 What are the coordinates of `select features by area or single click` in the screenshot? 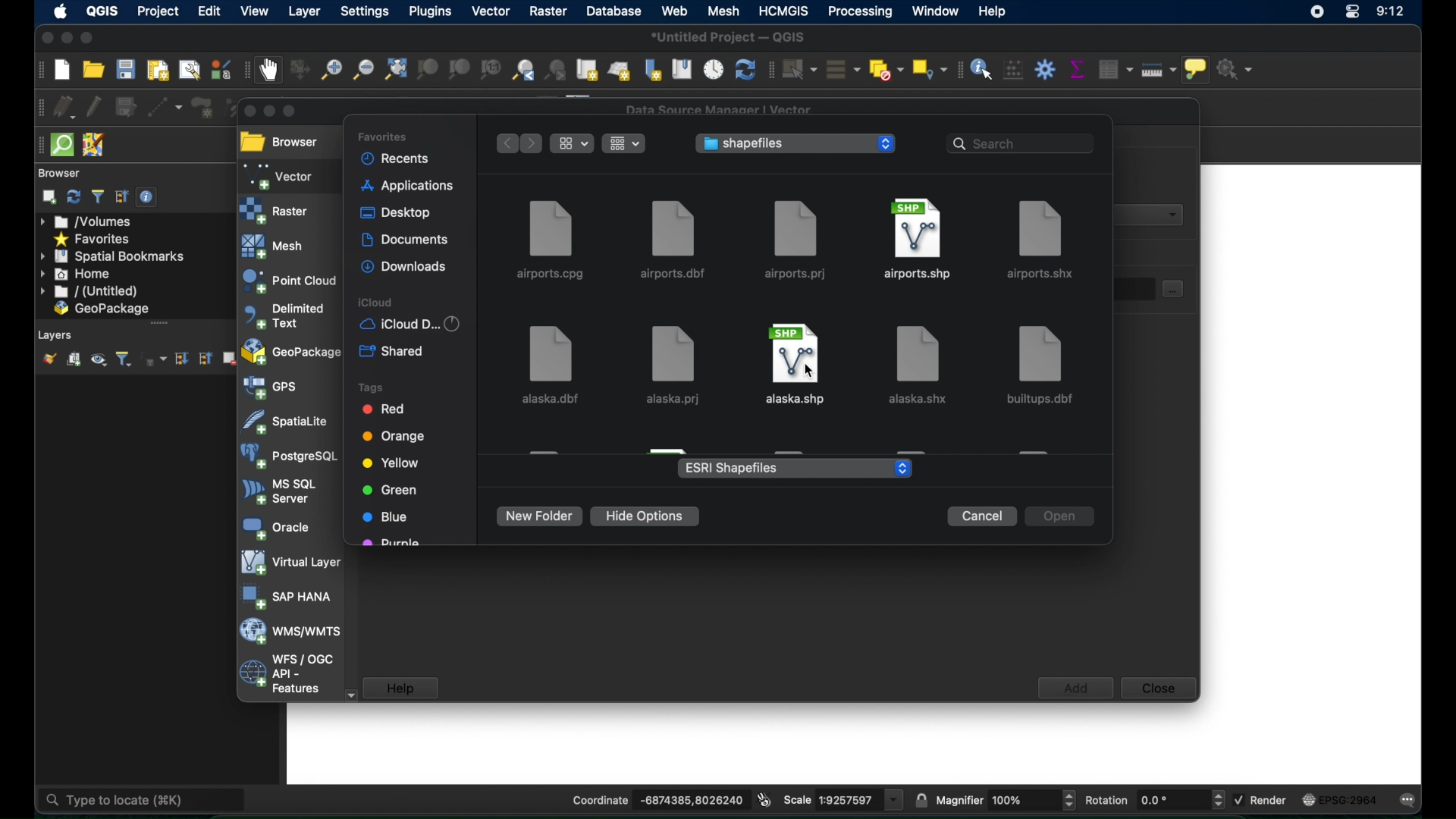 It's located at (800, 67).